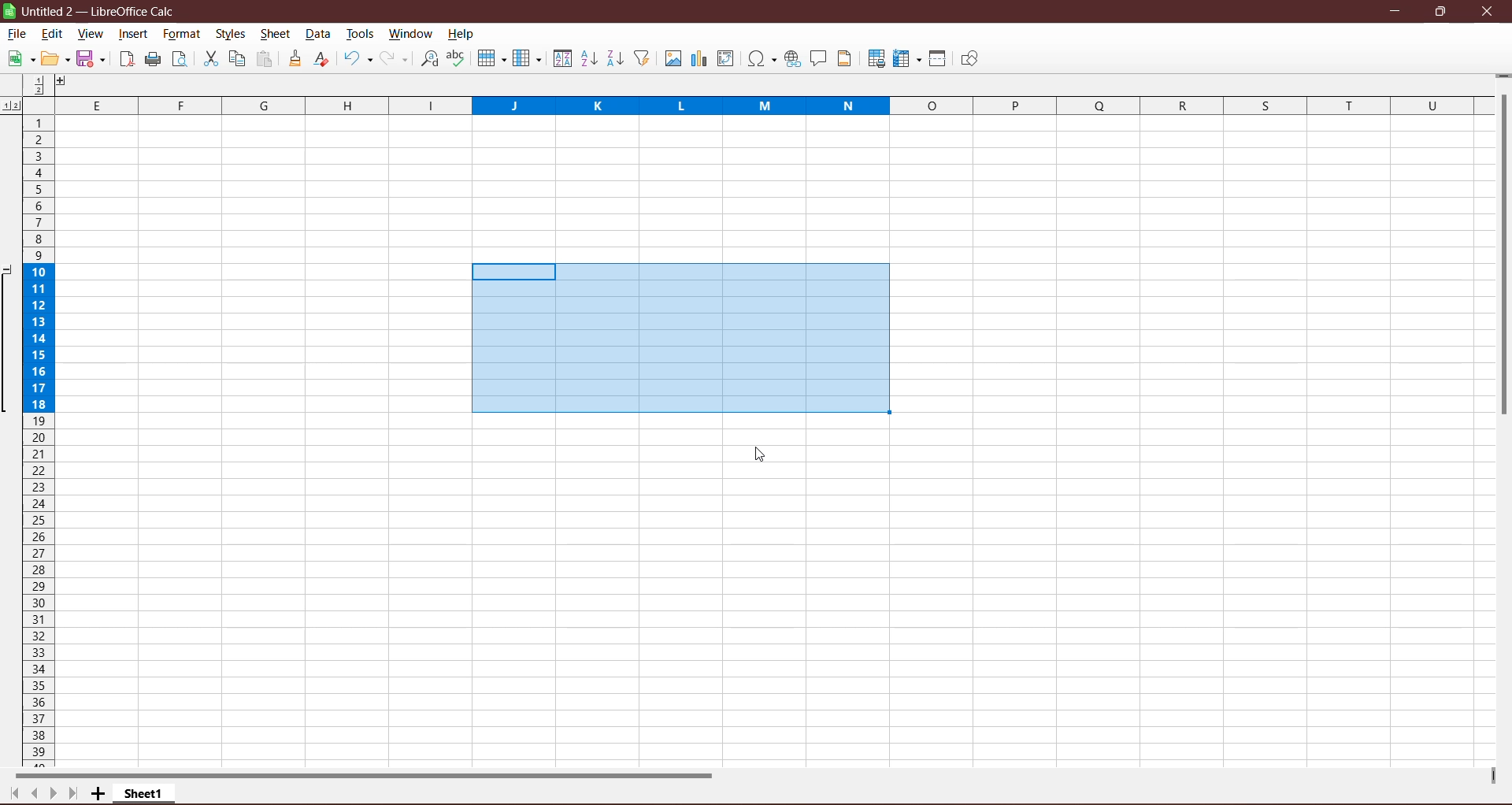 The width and height of the screenshot is (1512, 805). Describe the element at coordinates (103, 11) in the screenshot. I see `Document Title - Application Name` at that location.